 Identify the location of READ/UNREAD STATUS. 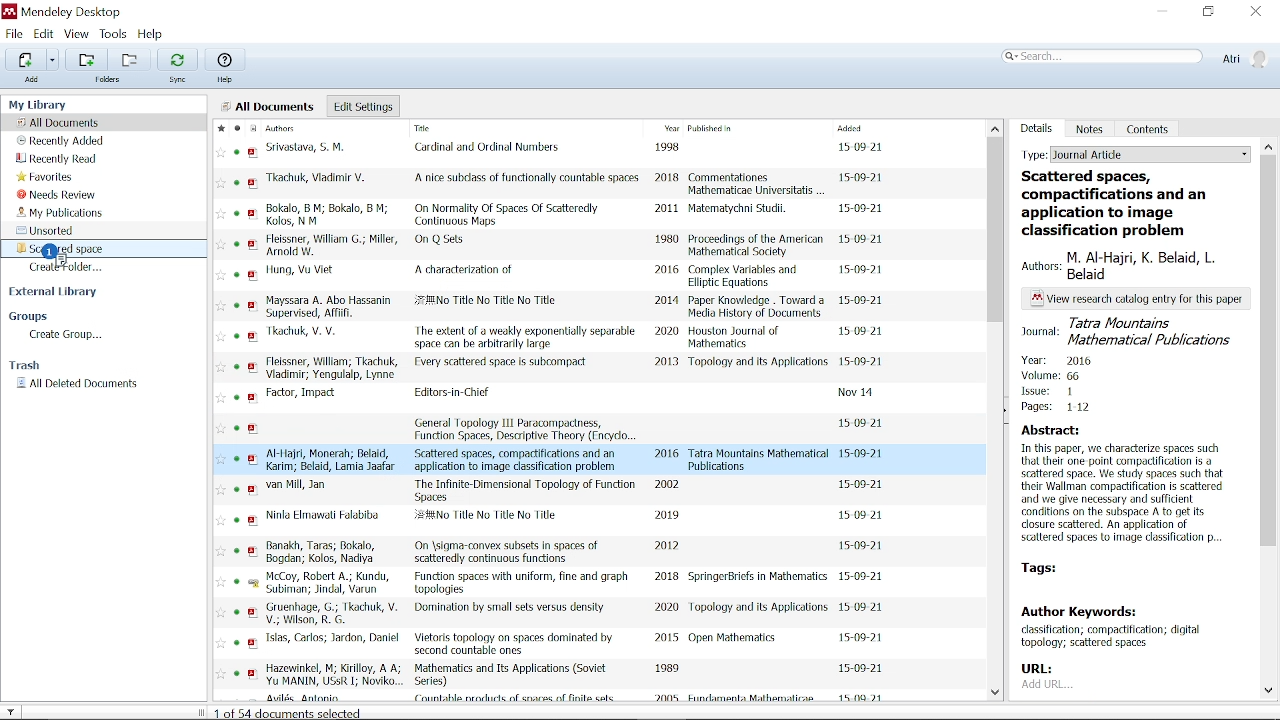
(237, 416).